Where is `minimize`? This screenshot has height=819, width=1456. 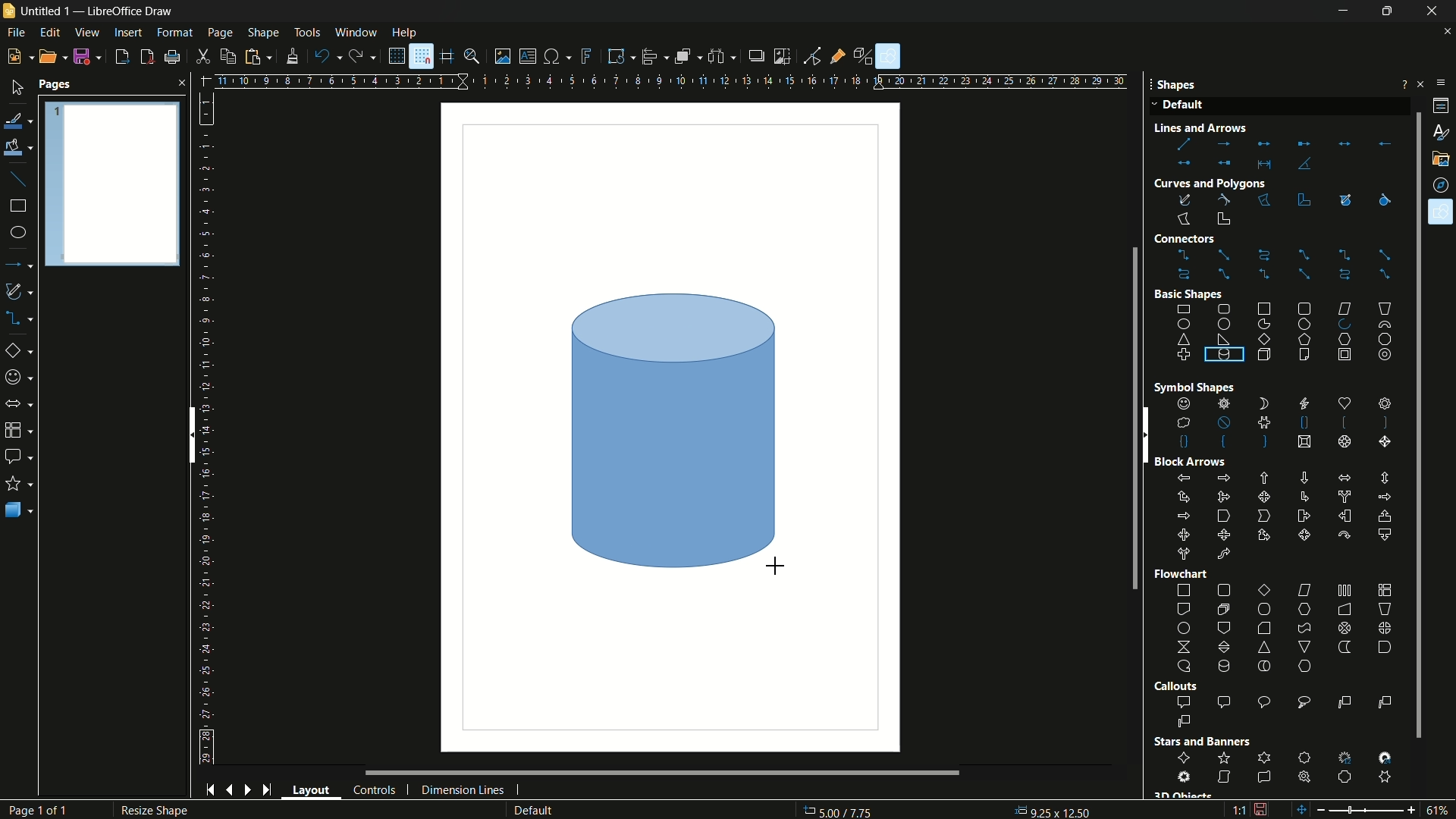 minimize is located at coordinates (1344, 12).